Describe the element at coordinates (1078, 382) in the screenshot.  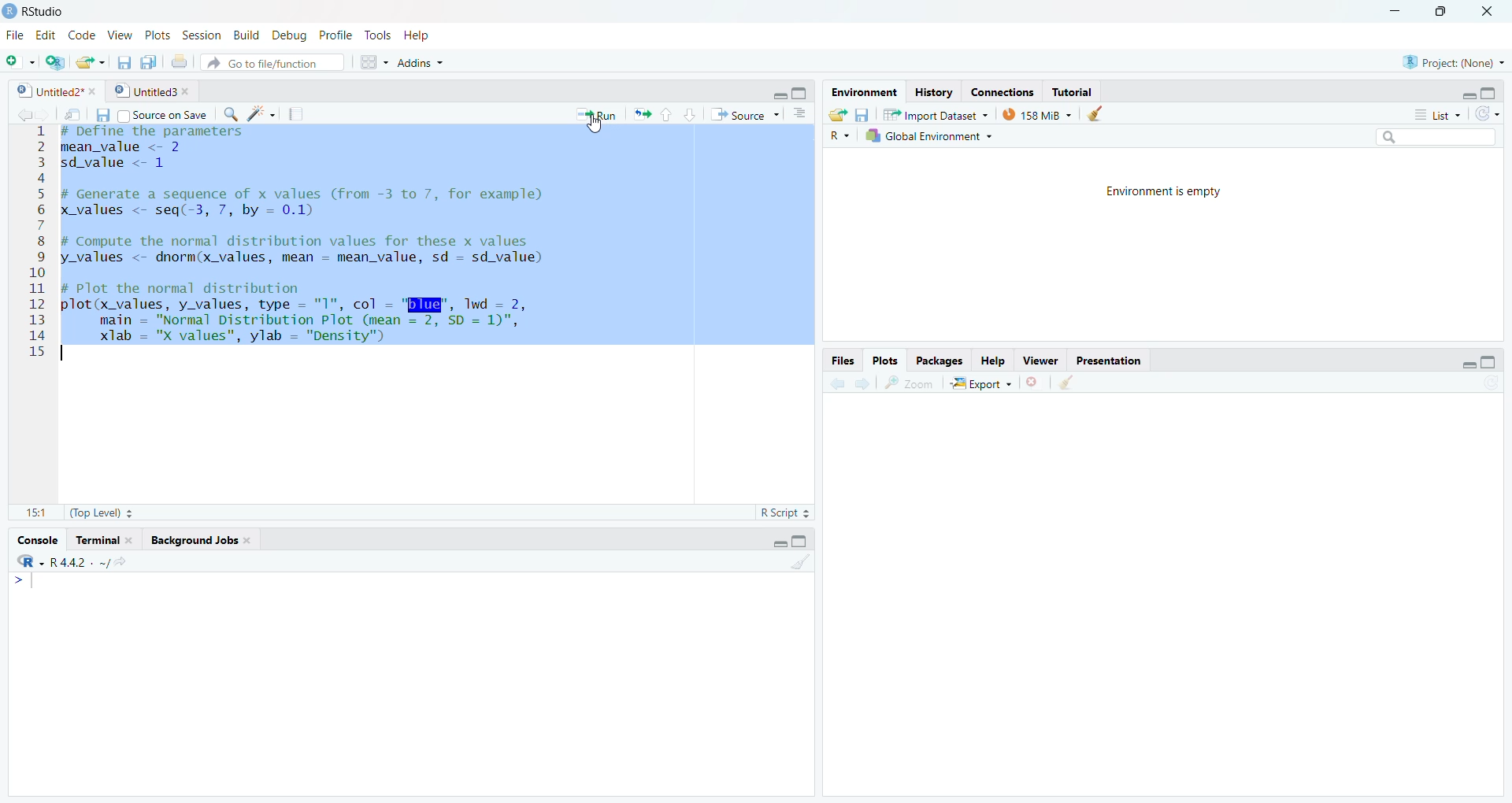
I see `show in new window` at that location.